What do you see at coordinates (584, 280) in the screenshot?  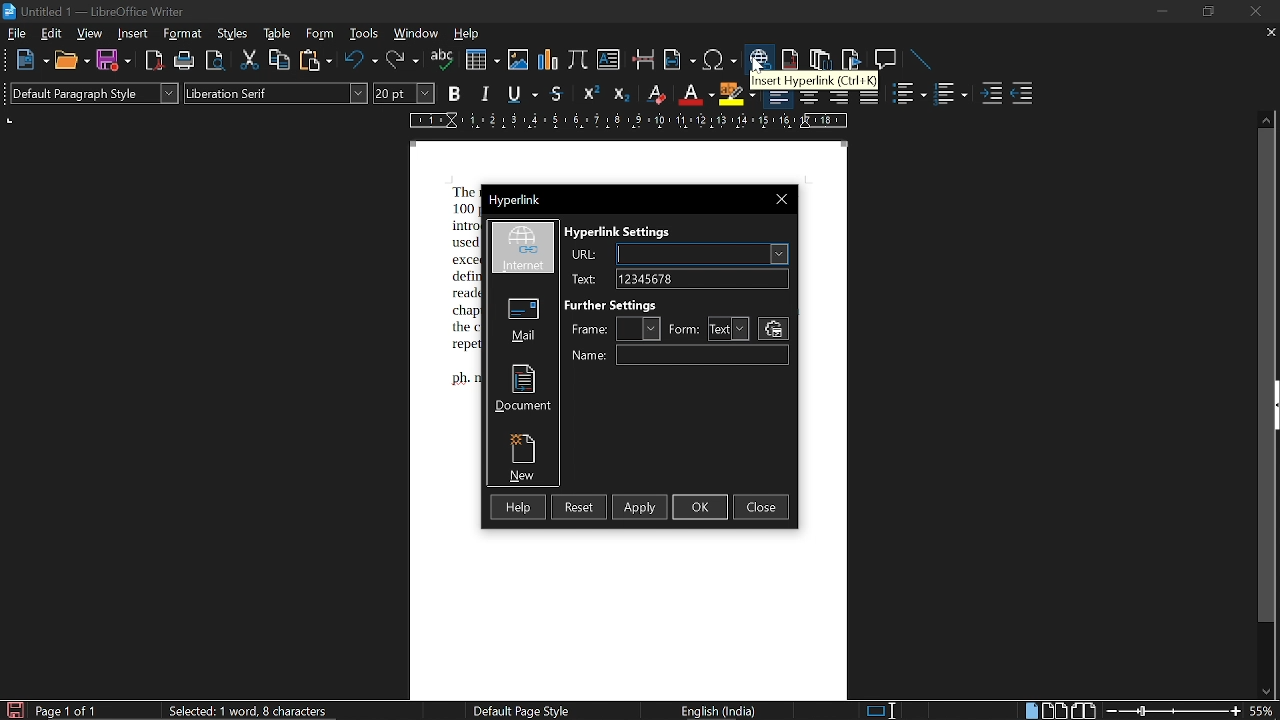 I see `text` at bounding box center [584, 280].